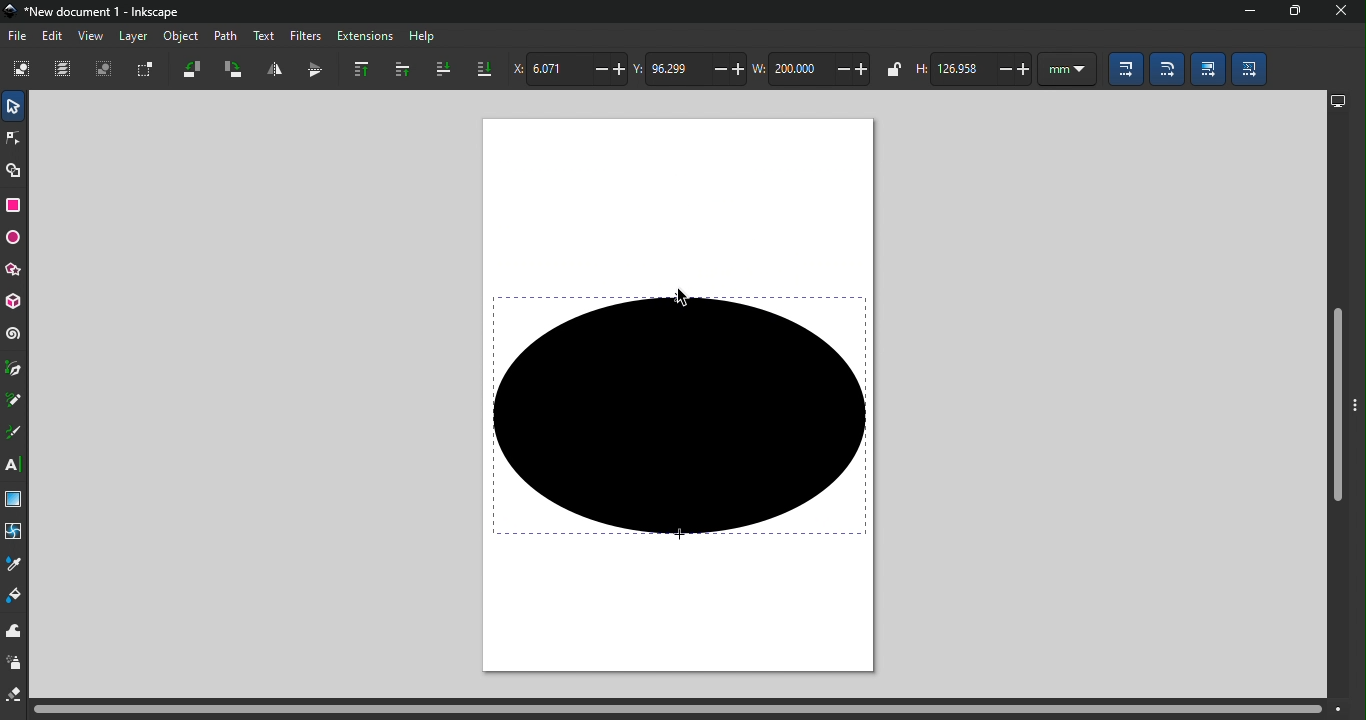  Describe the element at coordinates (14, 171) in the screenshot. I see `Shape builder tool` at that location.